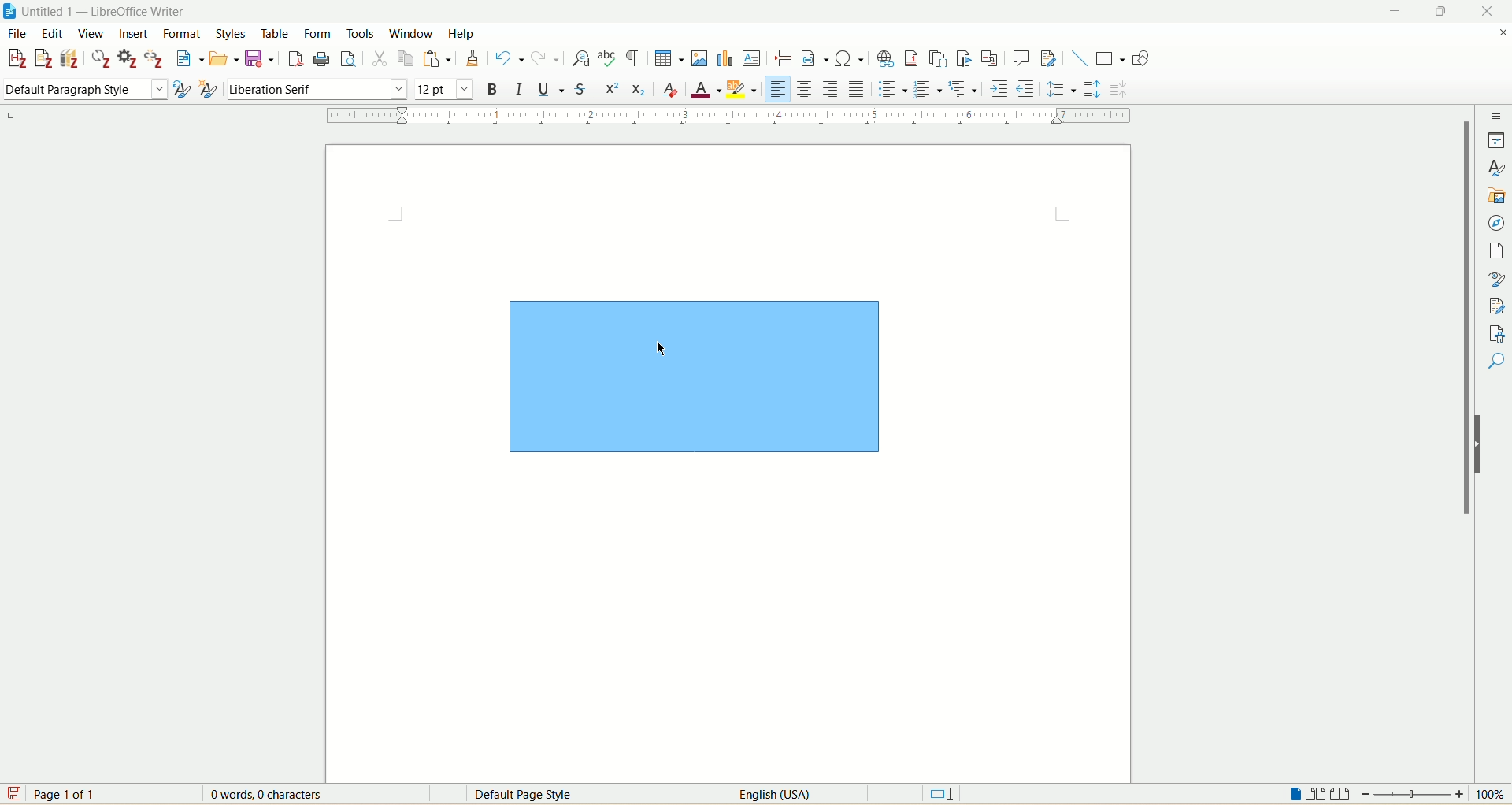  What do you see at coordinates (445, 90) in the screenshot?
I see `font size` at bounding box center [445, 90].